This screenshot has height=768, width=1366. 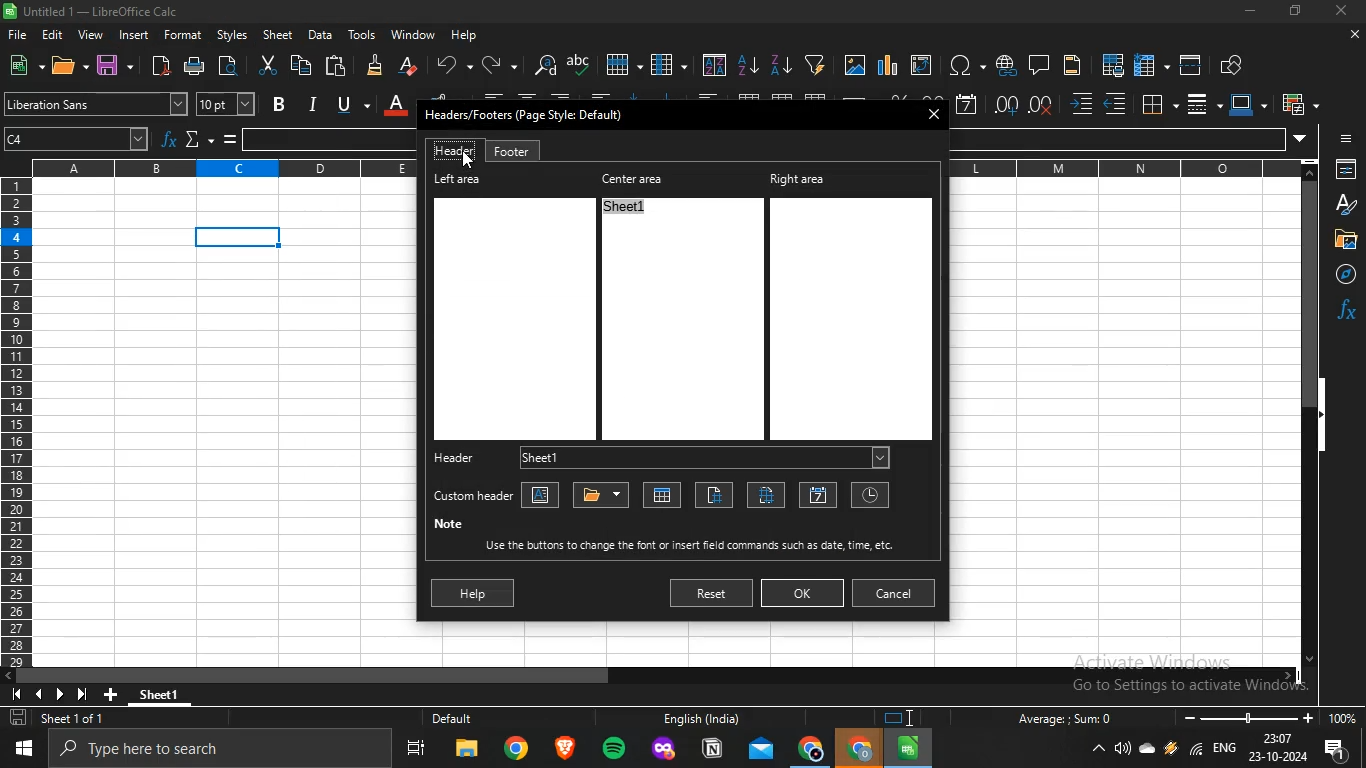 I want to click on window, so click(x=413, y=34).